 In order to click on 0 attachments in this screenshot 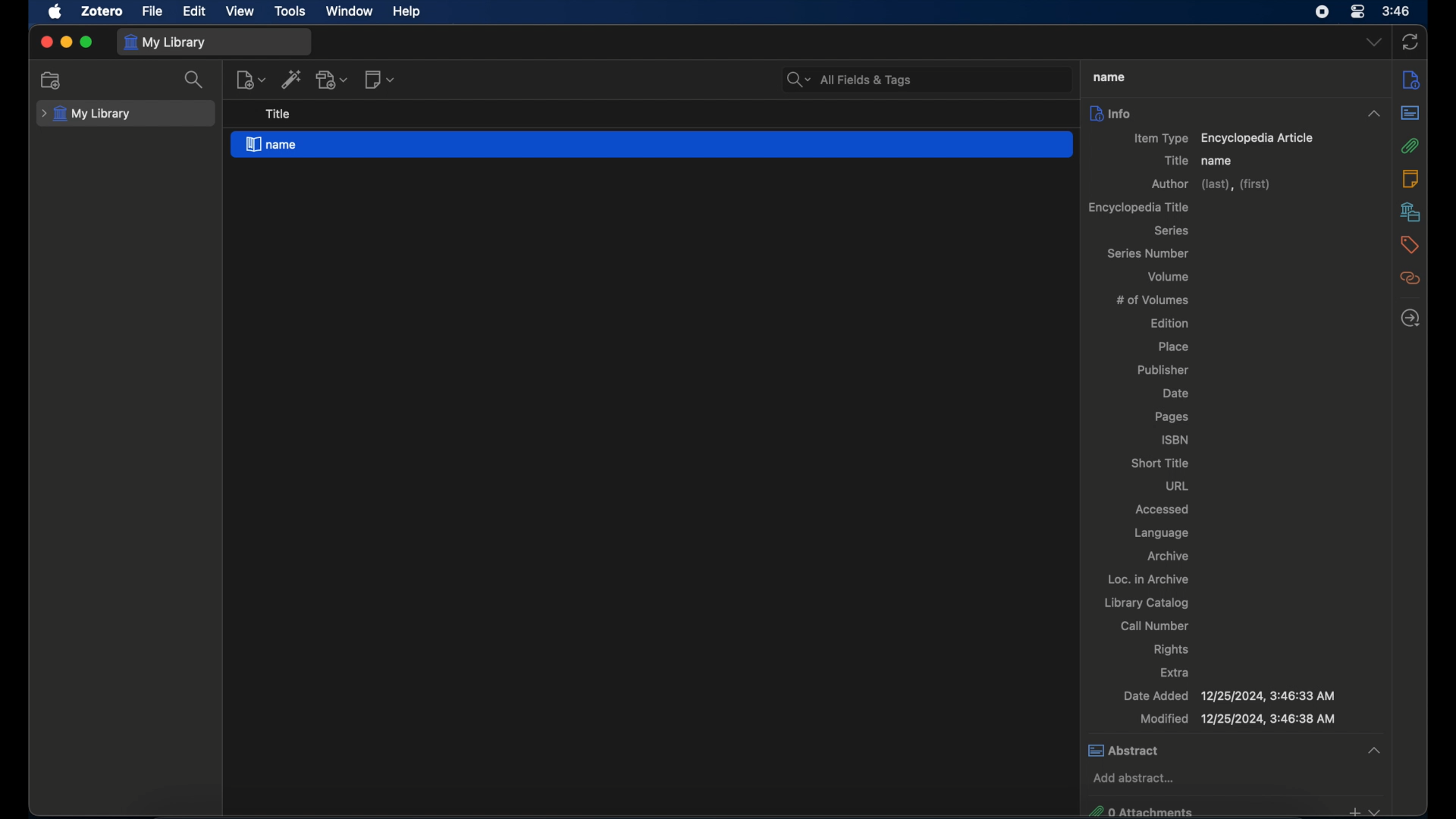, I will do `click(1235, 809)`.